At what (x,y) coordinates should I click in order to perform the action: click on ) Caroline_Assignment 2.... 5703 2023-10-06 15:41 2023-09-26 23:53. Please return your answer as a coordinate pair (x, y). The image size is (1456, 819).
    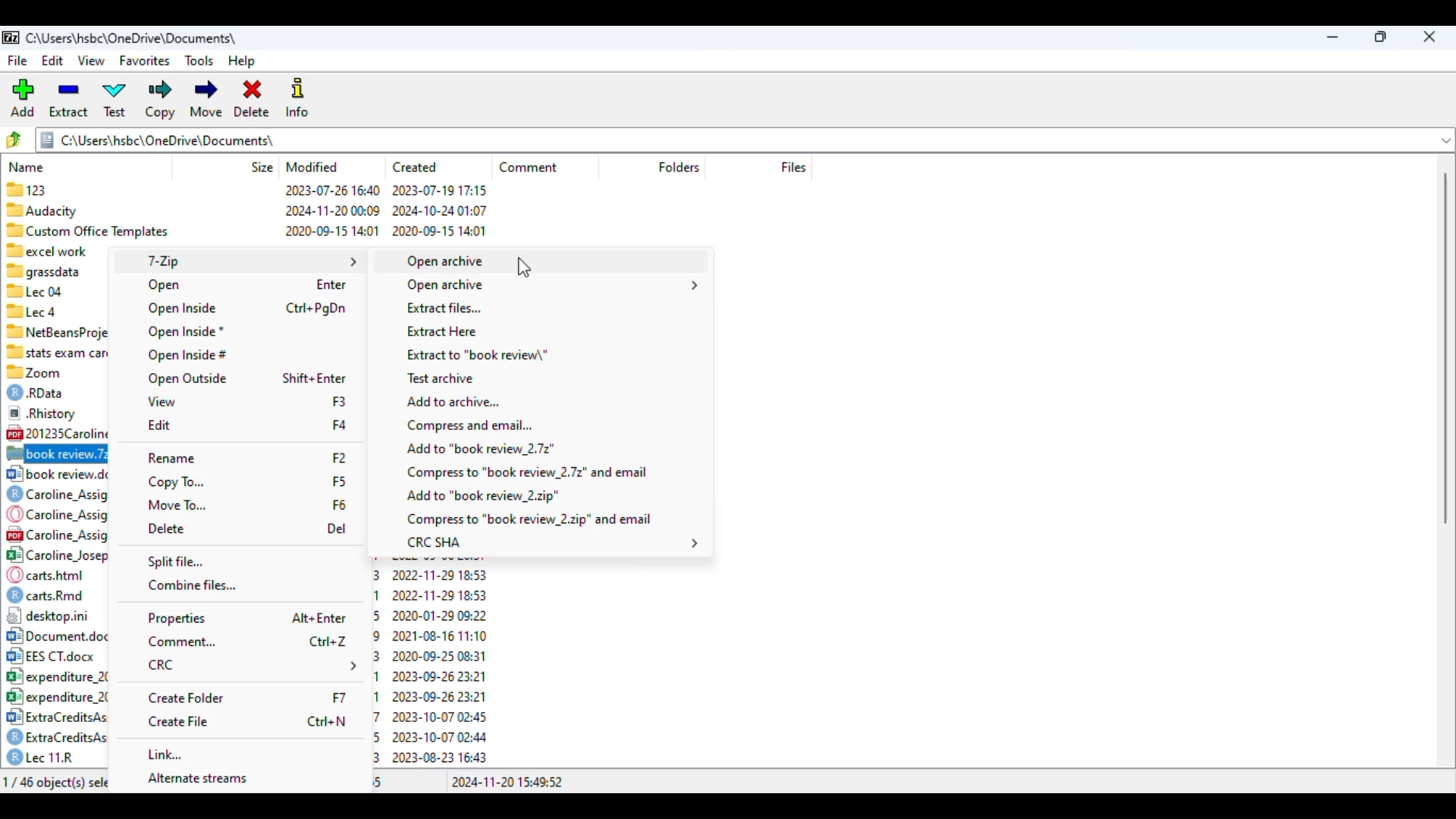
    Looking at the image, I should click on (55, 495).